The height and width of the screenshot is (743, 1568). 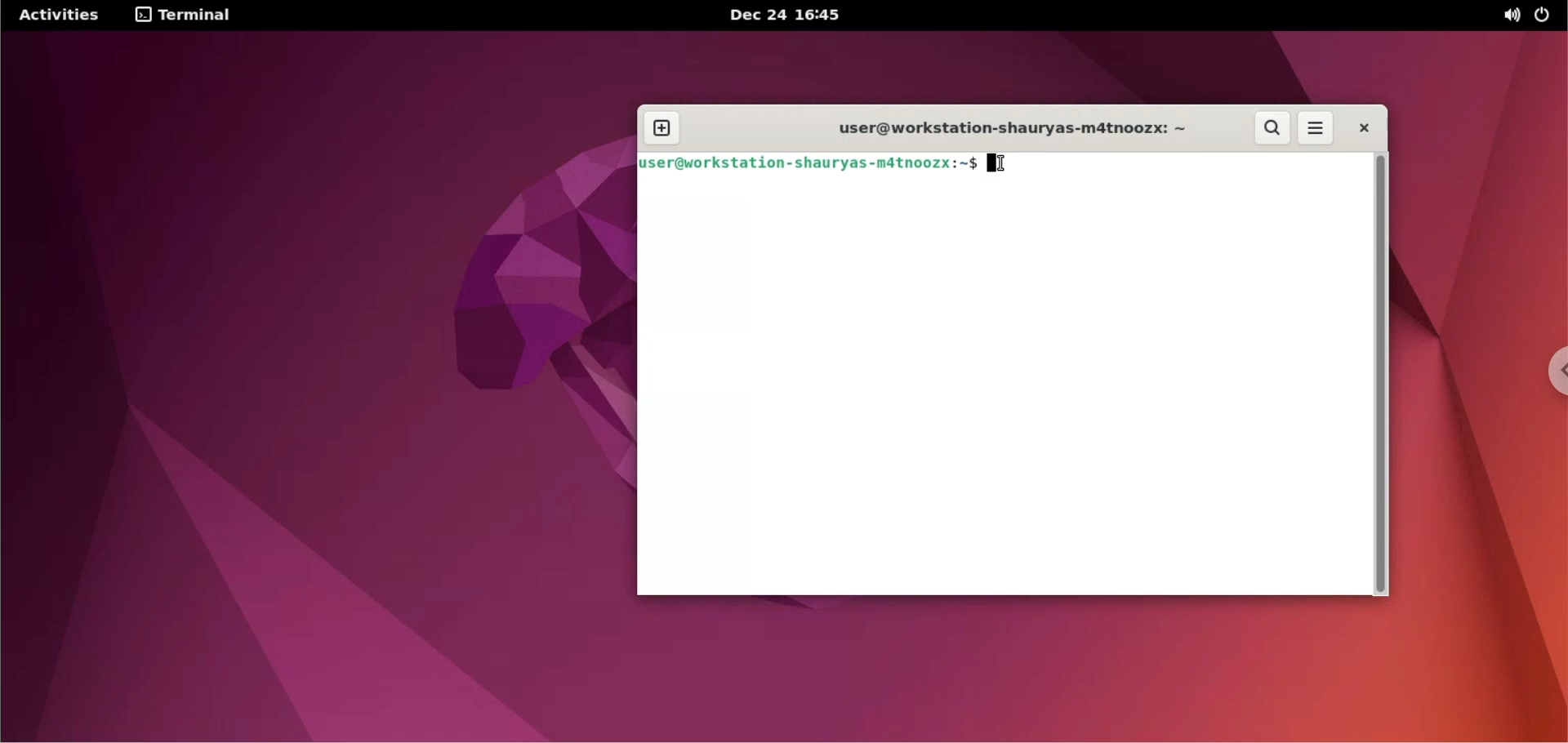 What do you see at coordinates (1554, 374) in the screenshot?
I see `chrome options` at bounding box center [1554, 374].